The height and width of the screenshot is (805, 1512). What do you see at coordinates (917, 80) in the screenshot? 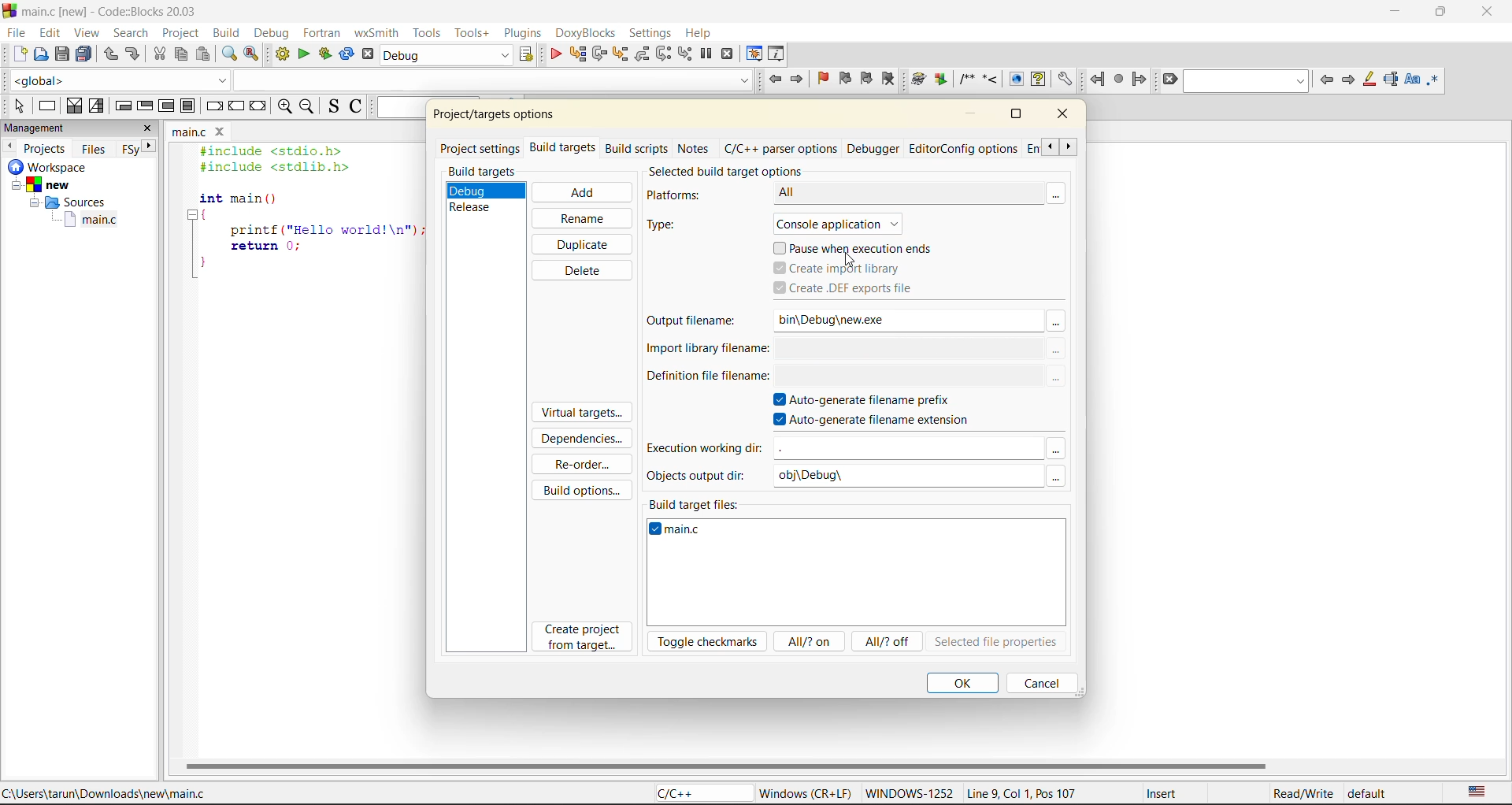
I see `Run doxywizard` at bounding box center [917, 80].